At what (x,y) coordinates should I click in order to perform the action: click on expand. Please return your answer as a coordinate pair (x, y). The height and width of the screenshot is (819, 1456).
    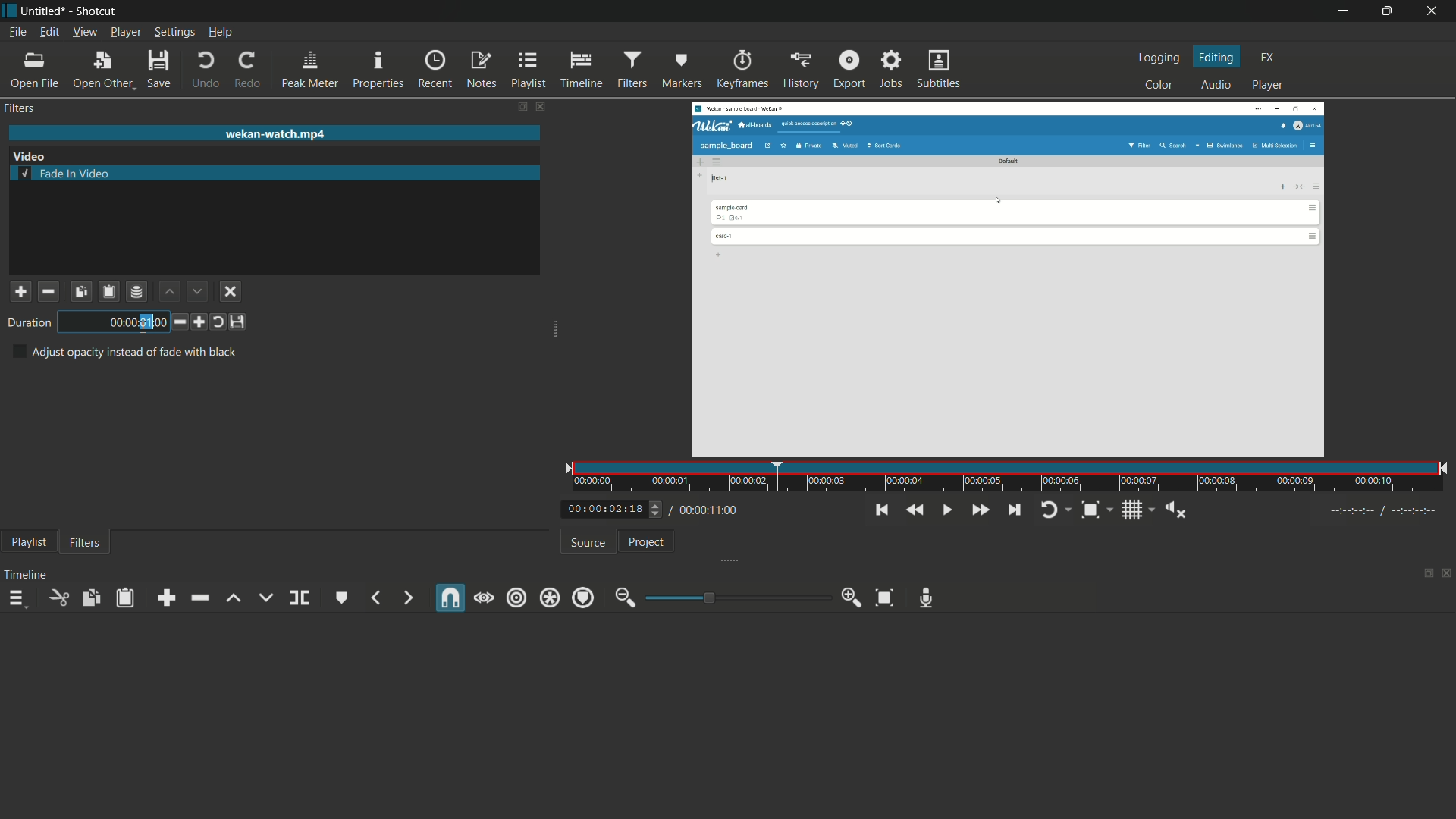
    Looking at the image, I should click on (555, 331).